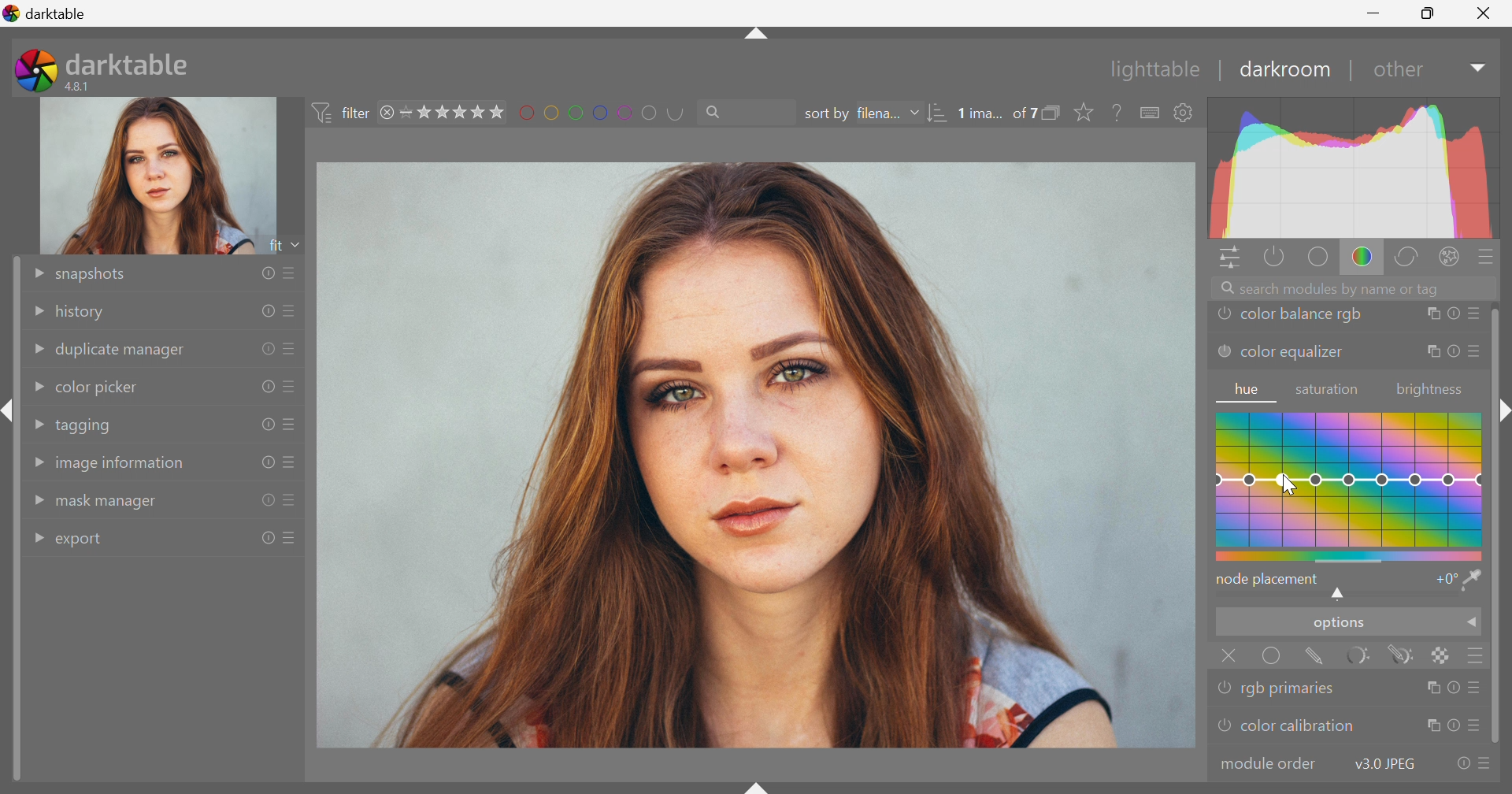 Image resolution: width=1512 pixels, height=794 pixels. I want to click on remove filter, so click(387, 113).